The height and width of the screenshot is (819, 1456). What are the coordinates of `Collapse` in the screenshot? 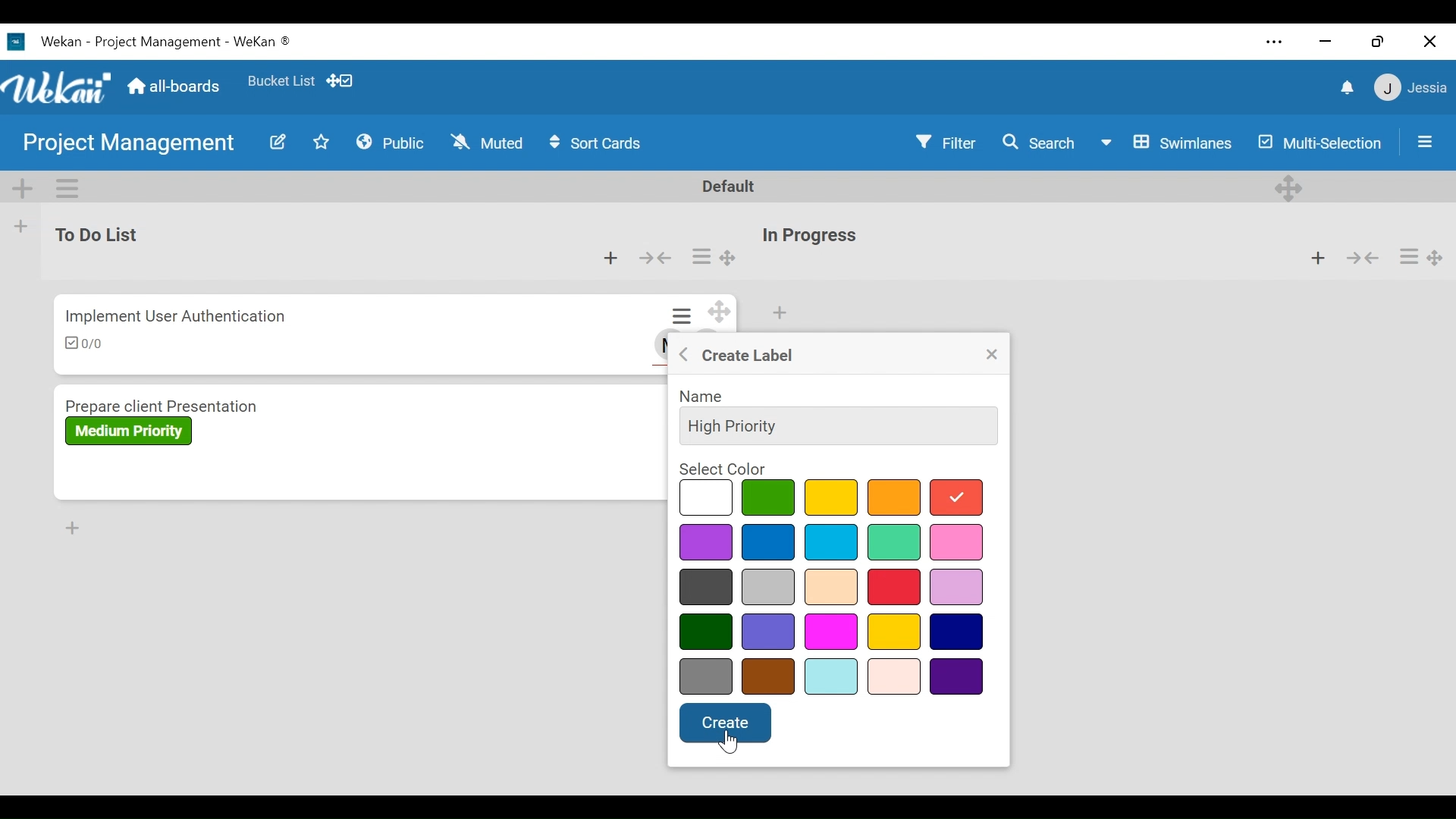 It's located at (654, 259).